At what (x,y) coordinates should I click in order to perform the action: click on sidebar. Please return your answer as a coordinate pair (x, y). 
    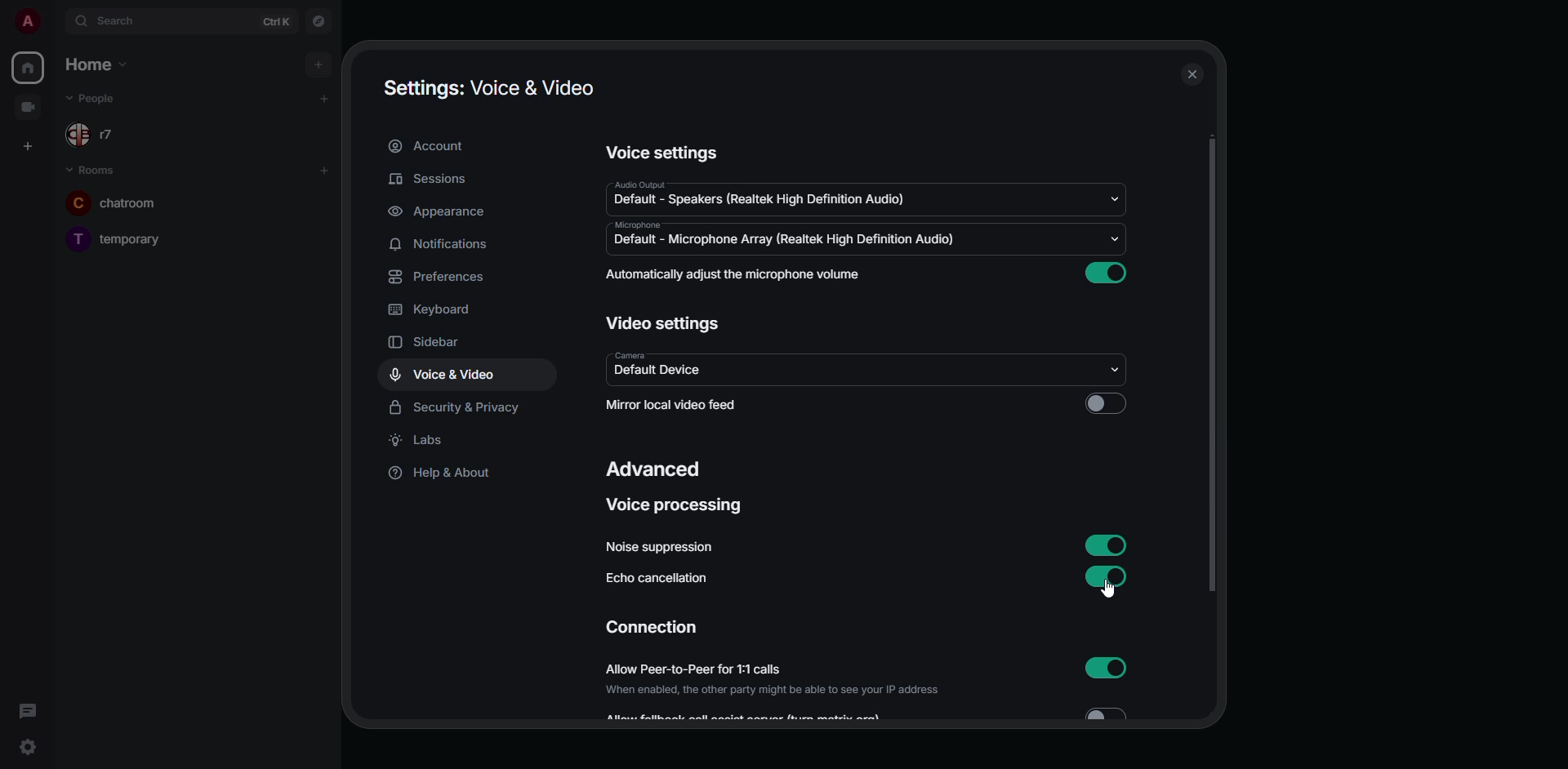
    Looking at the image, I should click on (443, 344).